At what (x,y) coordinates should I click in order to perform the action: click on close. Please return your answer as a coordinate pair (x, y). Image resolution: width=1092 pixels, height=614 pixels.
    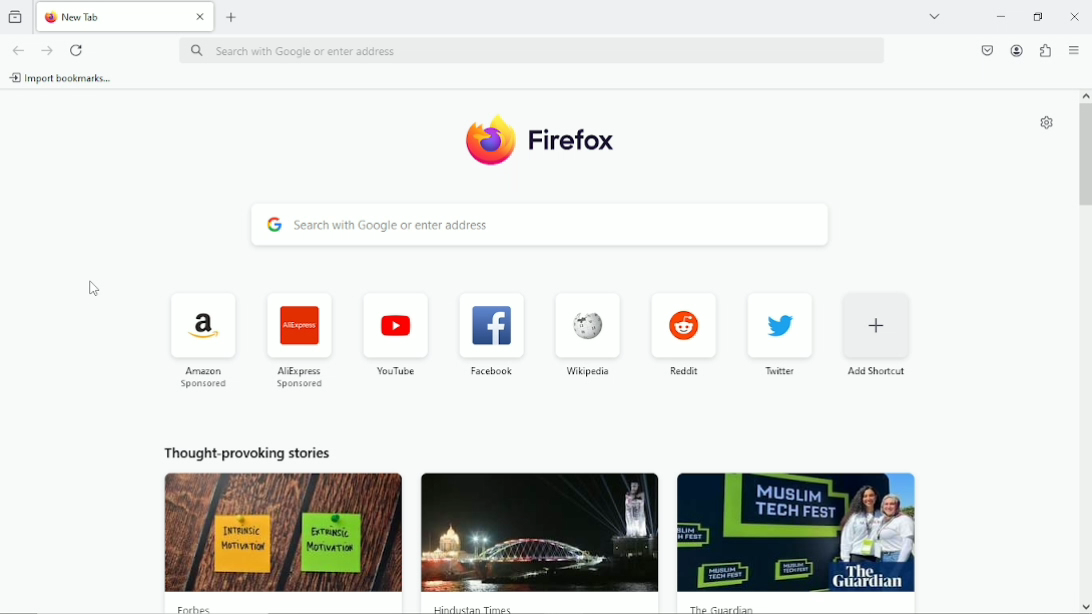
    Looking at the image, I should click on (1072, 16).